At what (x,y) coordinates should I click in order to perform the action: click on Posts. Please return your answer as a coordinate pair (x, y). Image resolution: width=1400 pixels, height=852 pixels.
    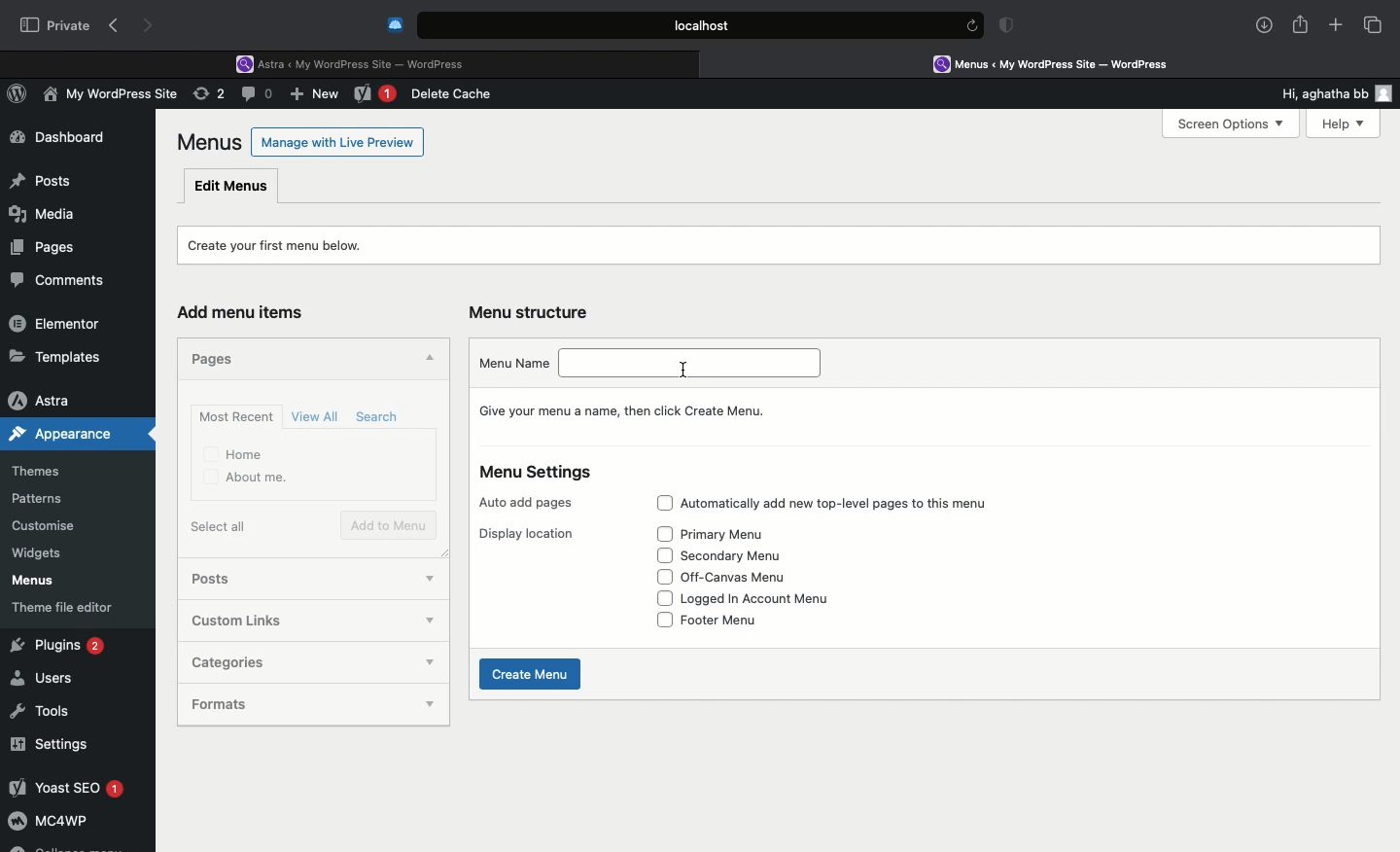
    Looking at the image, I should click on (40, 176).